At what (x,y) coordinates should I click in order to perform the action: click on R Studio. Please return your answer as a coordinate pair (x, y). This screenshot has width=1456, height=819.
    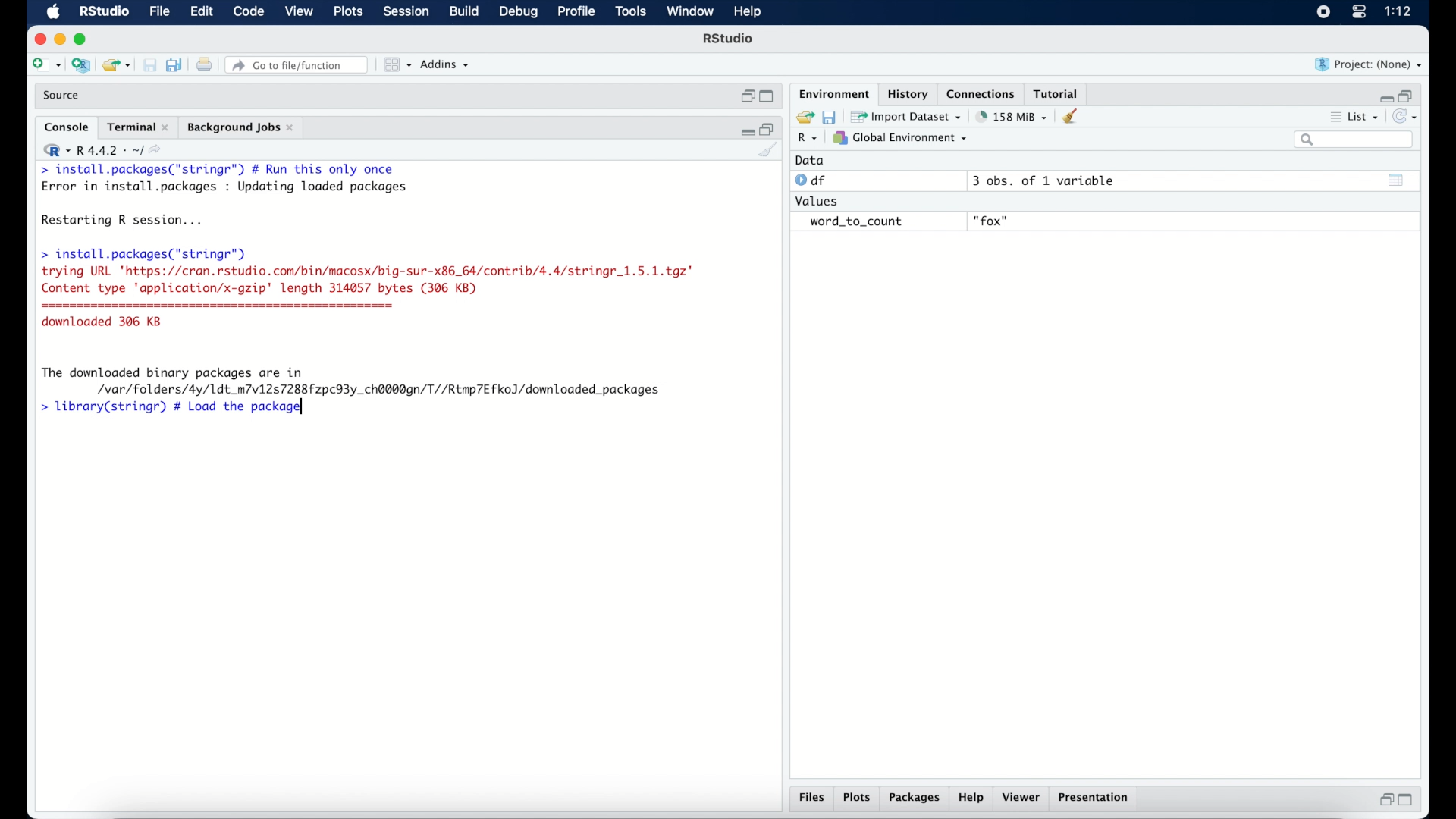
    Looking at the image, I should click on (103, 12).